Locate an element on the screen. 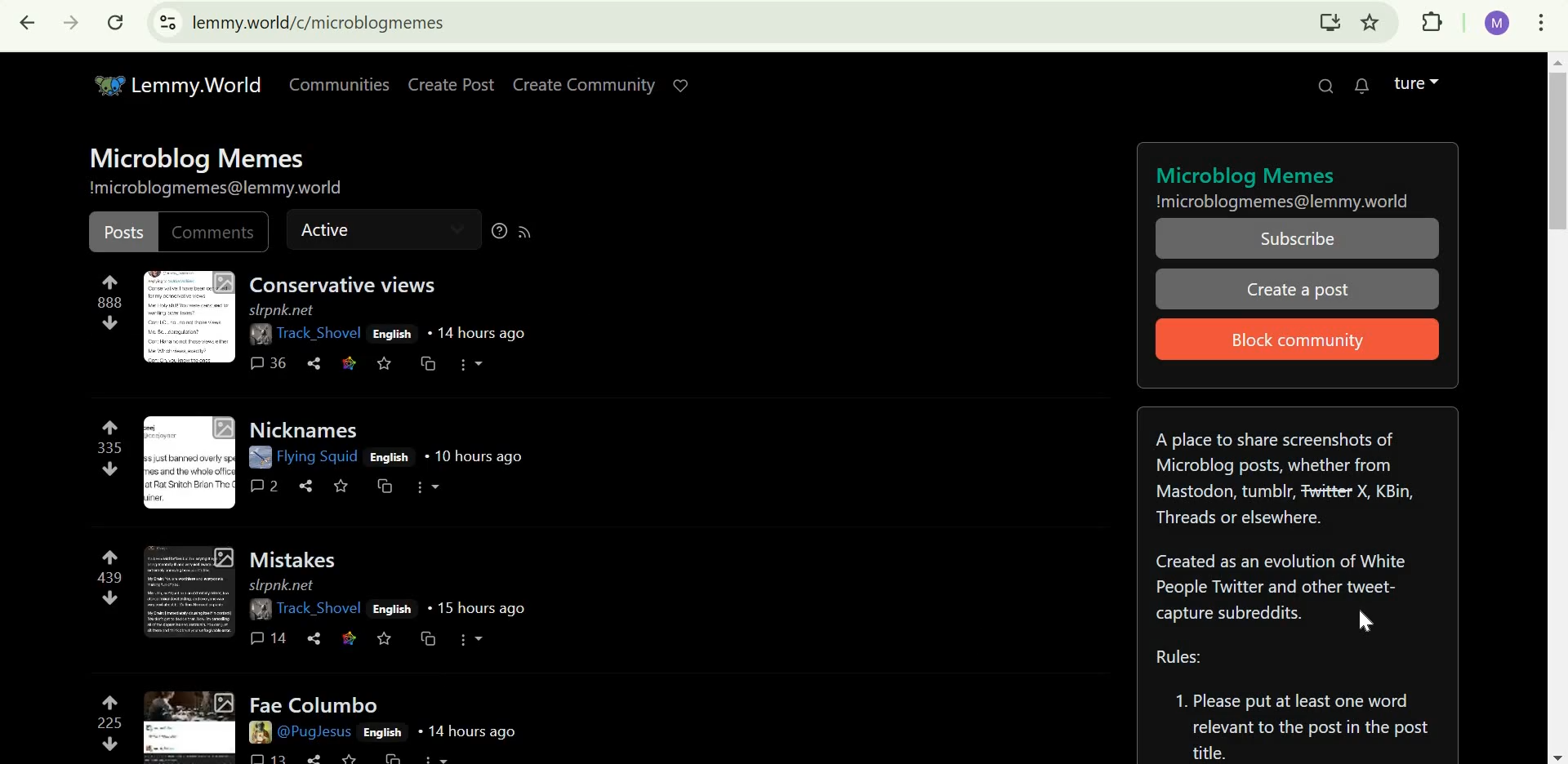  14 comments is located at coordinates (270, 637).